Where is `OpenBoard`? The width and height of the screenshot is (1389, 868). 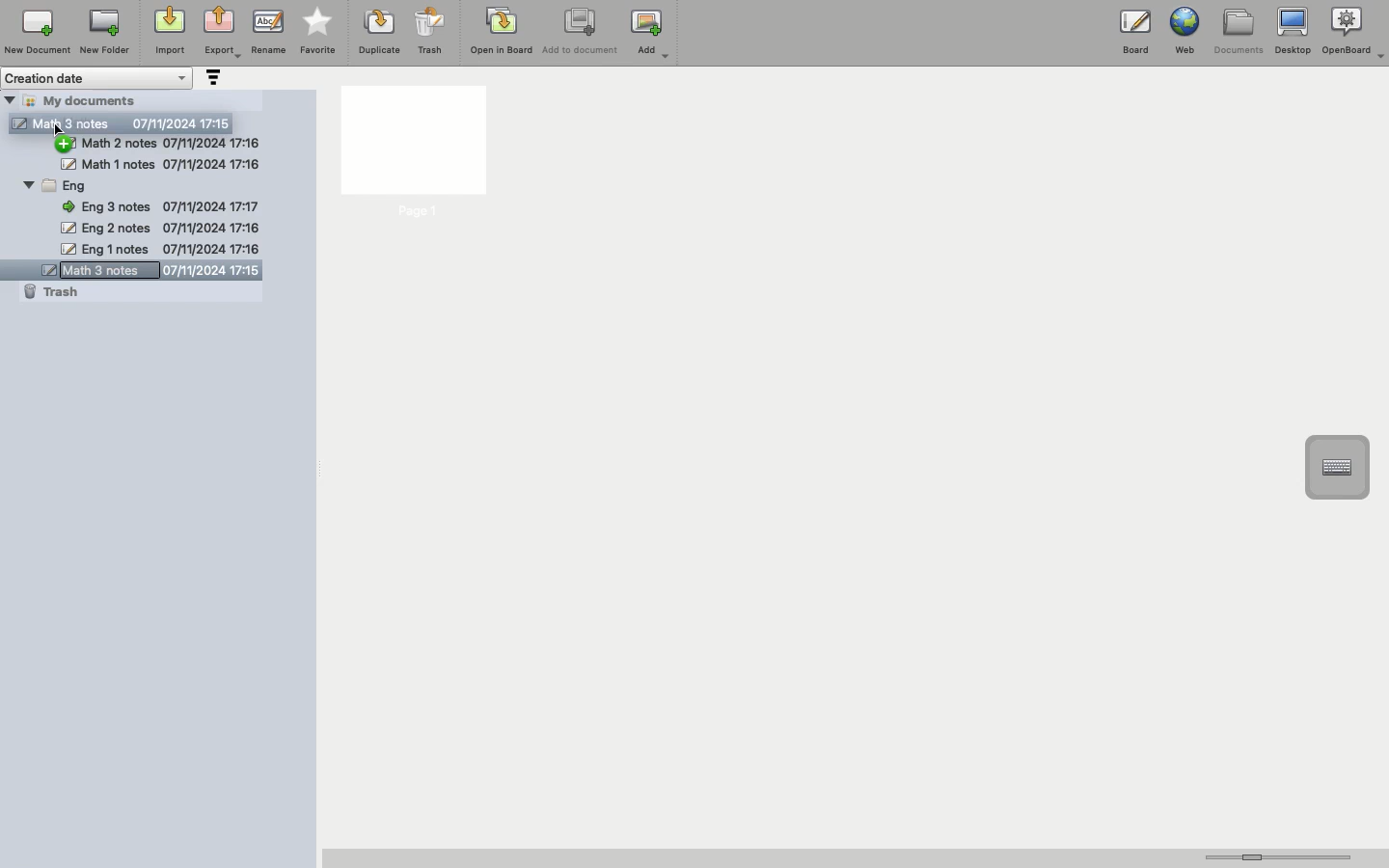
OpenBoard is located at coordinates (1355, 31).